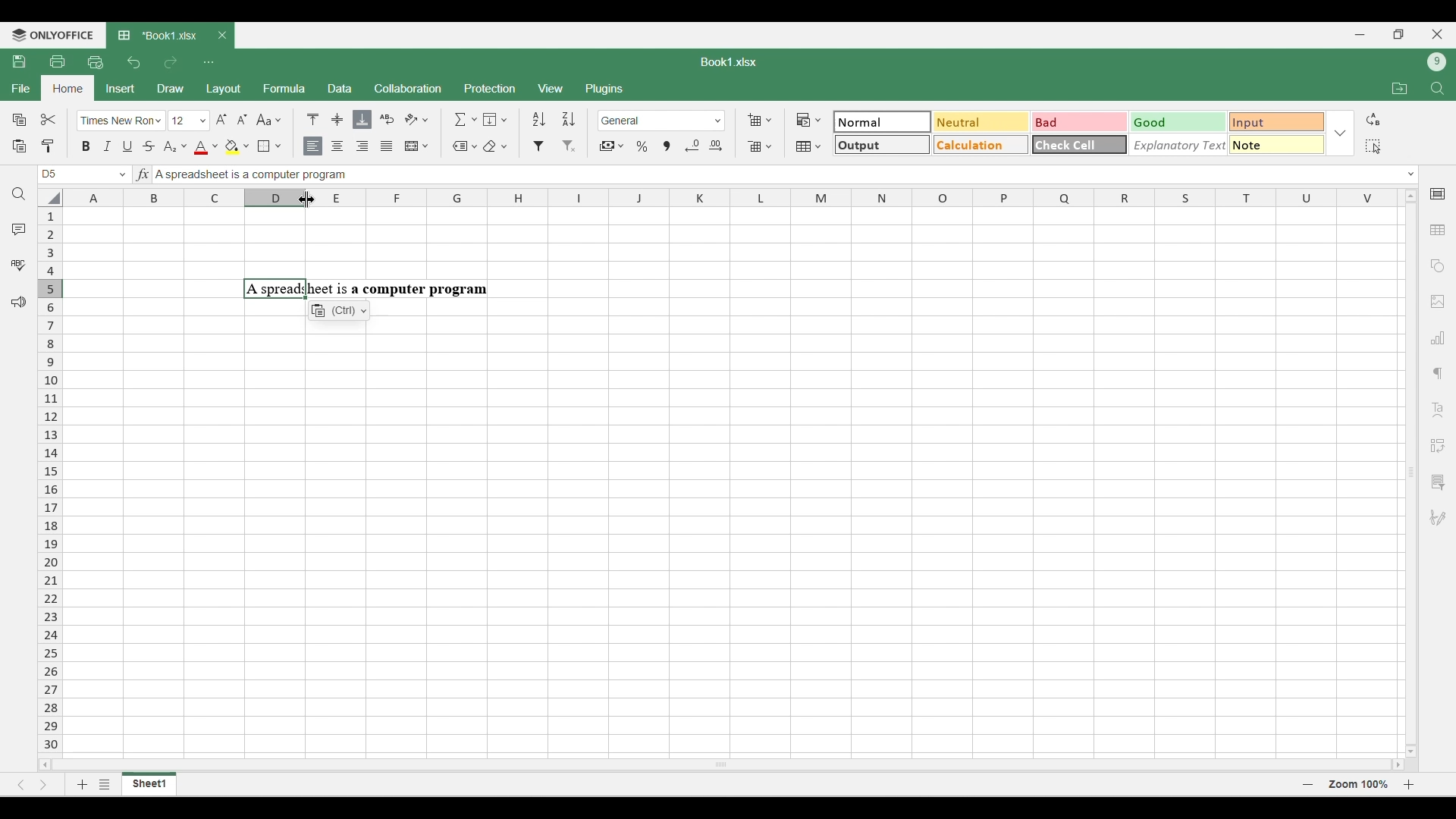 This screenshot has width=1456, height=819. Describe the element at coordinates (759, 146) in the screenshot. I see `Delete cell options` at that location.